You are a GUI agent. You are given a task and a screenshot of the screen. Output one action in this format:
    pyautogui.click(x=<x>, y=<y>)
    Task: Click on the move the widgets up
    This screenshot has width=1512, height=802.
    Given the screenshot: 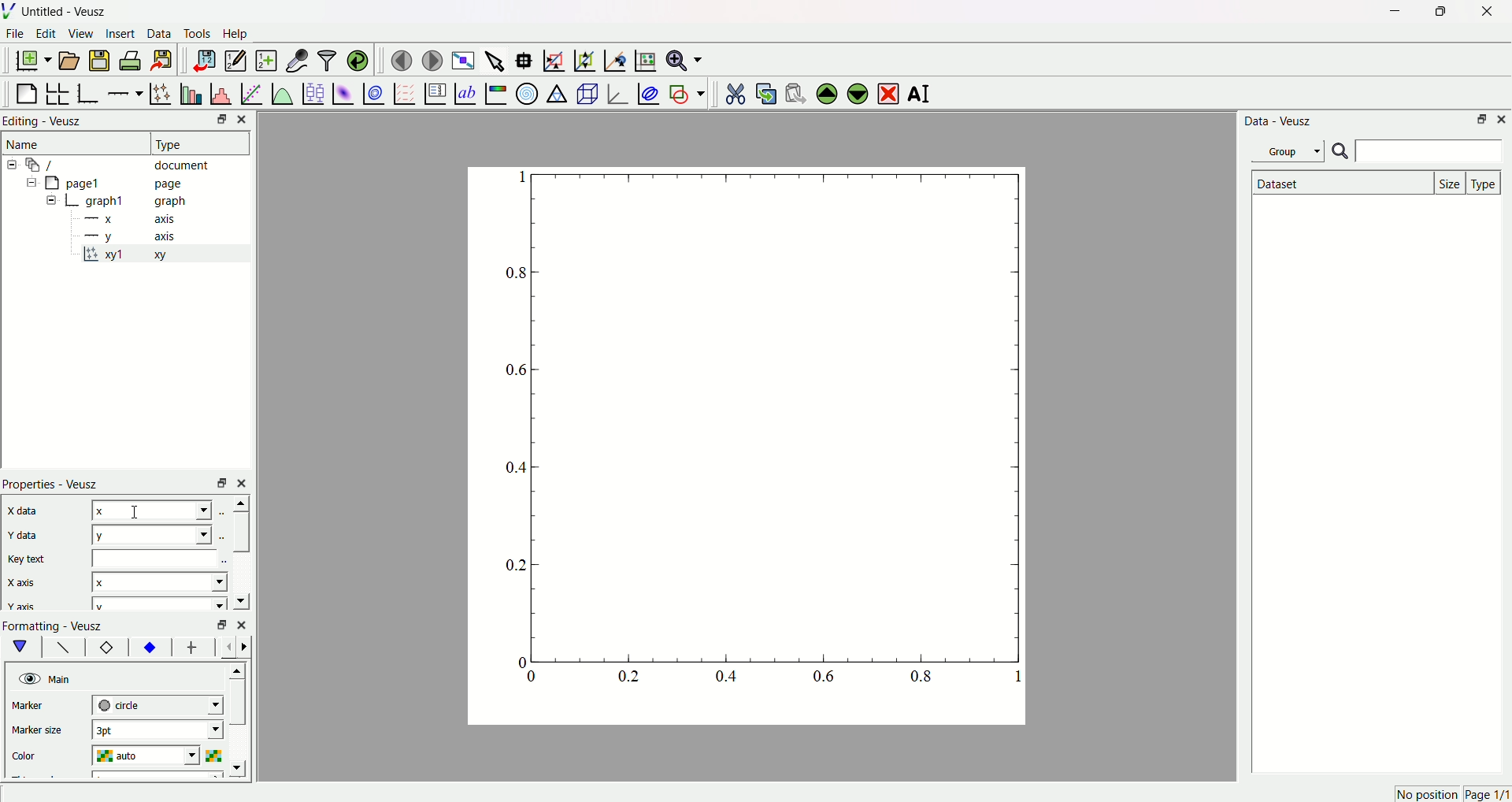 What is the action you would take?
    pyautogui.click(x=827, y=92)
    